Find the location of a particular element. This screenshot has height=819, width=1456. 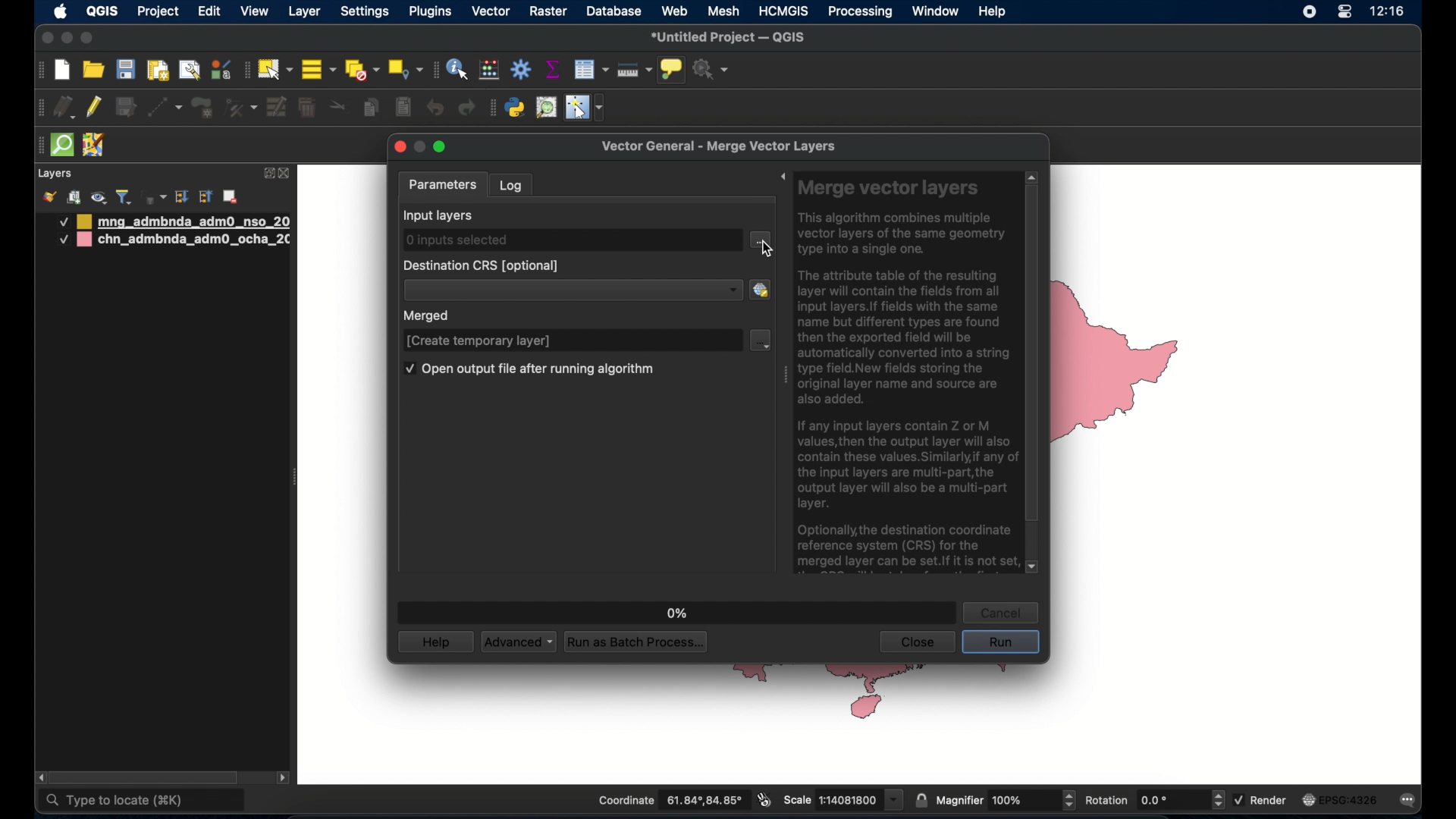

add polygon feature is located at coordinates (202, 108).